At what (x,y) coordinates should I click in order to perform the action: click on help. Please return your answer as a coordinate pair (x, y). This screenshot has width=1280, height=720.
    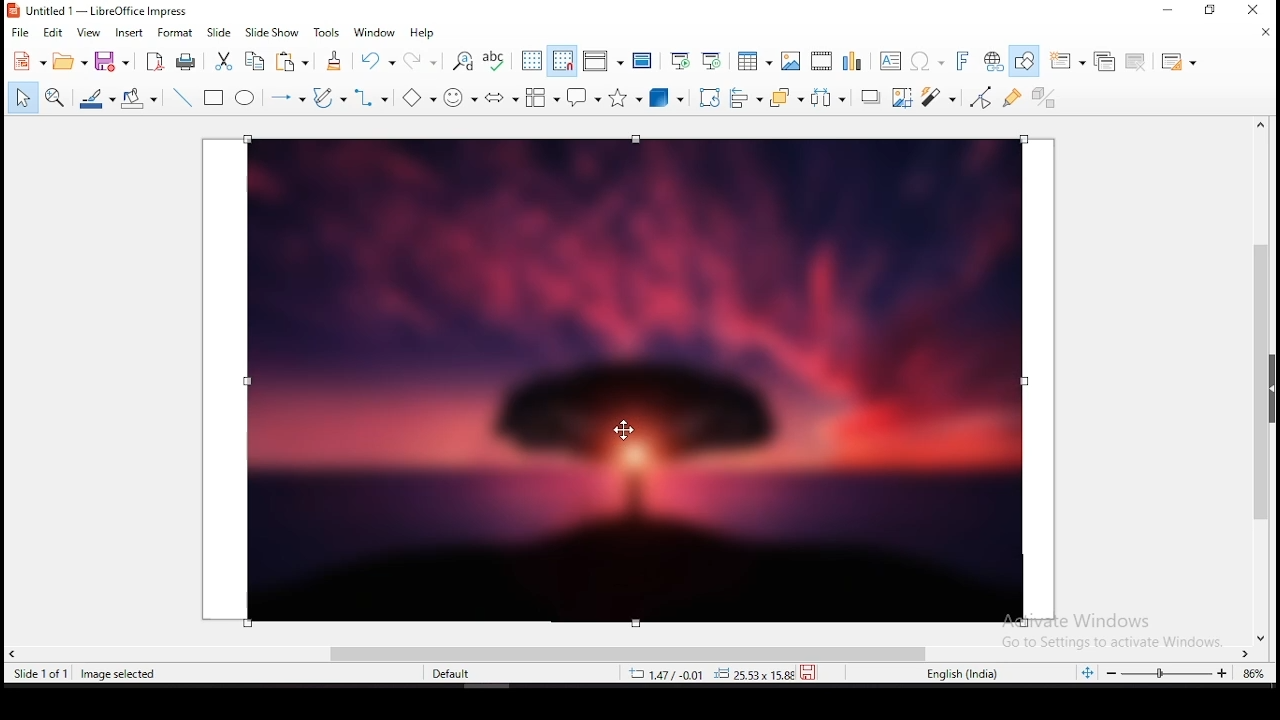
    Looking at the image, I should click on (425, 34).